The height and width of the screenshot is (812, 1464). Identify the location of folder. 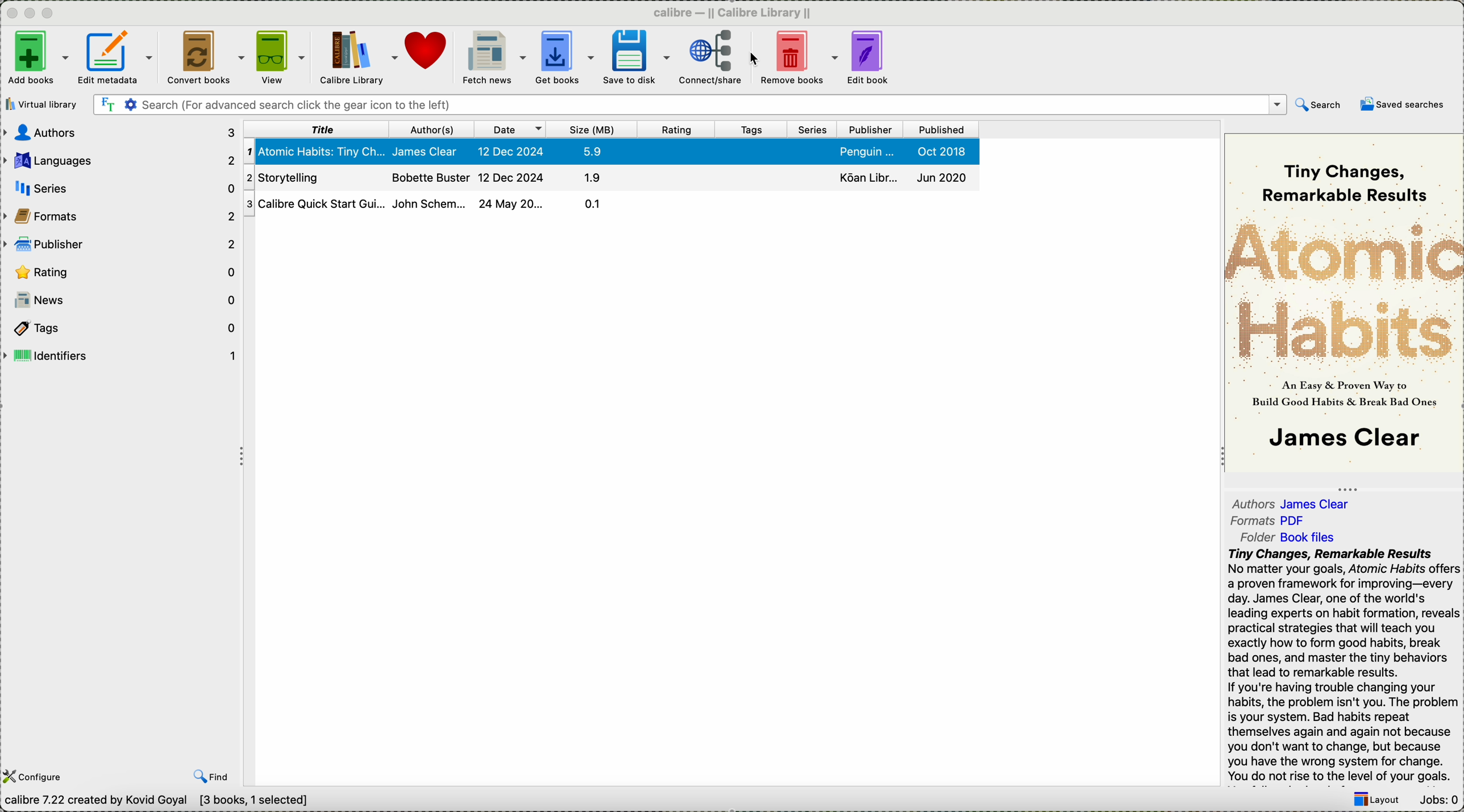
(1295, 536).